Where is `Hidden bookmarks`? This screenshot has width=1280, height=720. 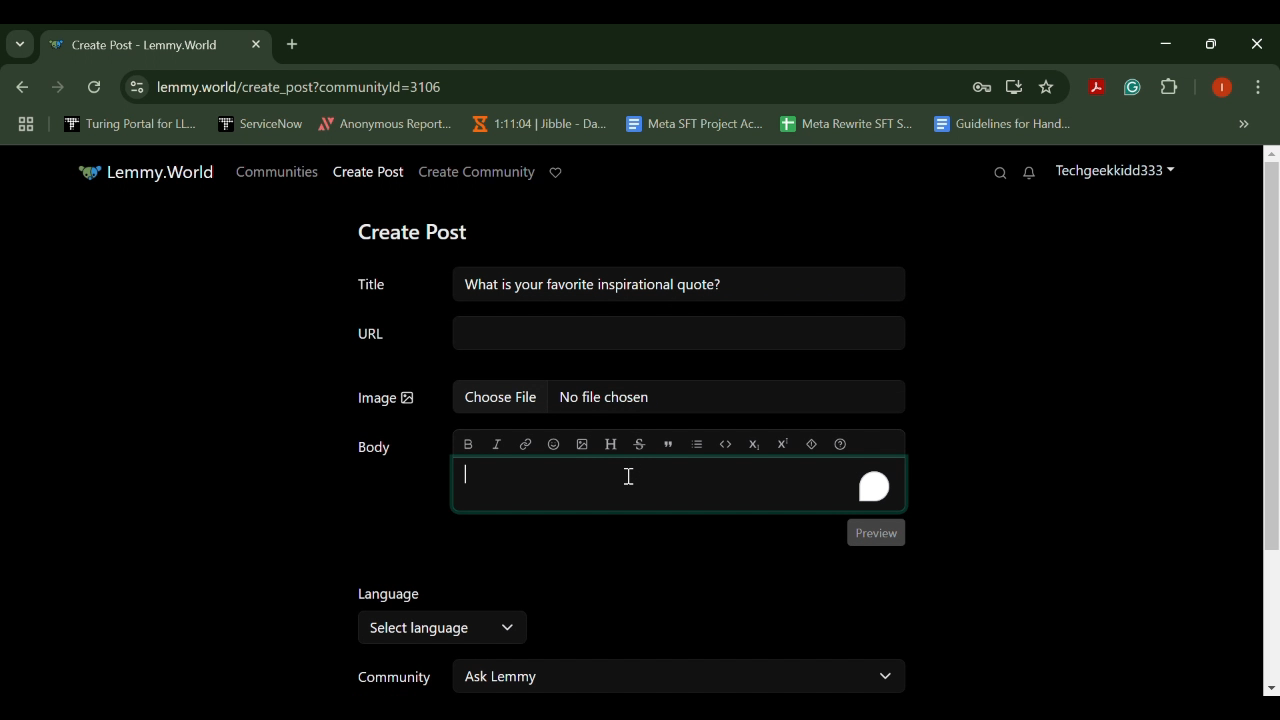 Hidden bookmarks is located at coordinates (1246, 125).